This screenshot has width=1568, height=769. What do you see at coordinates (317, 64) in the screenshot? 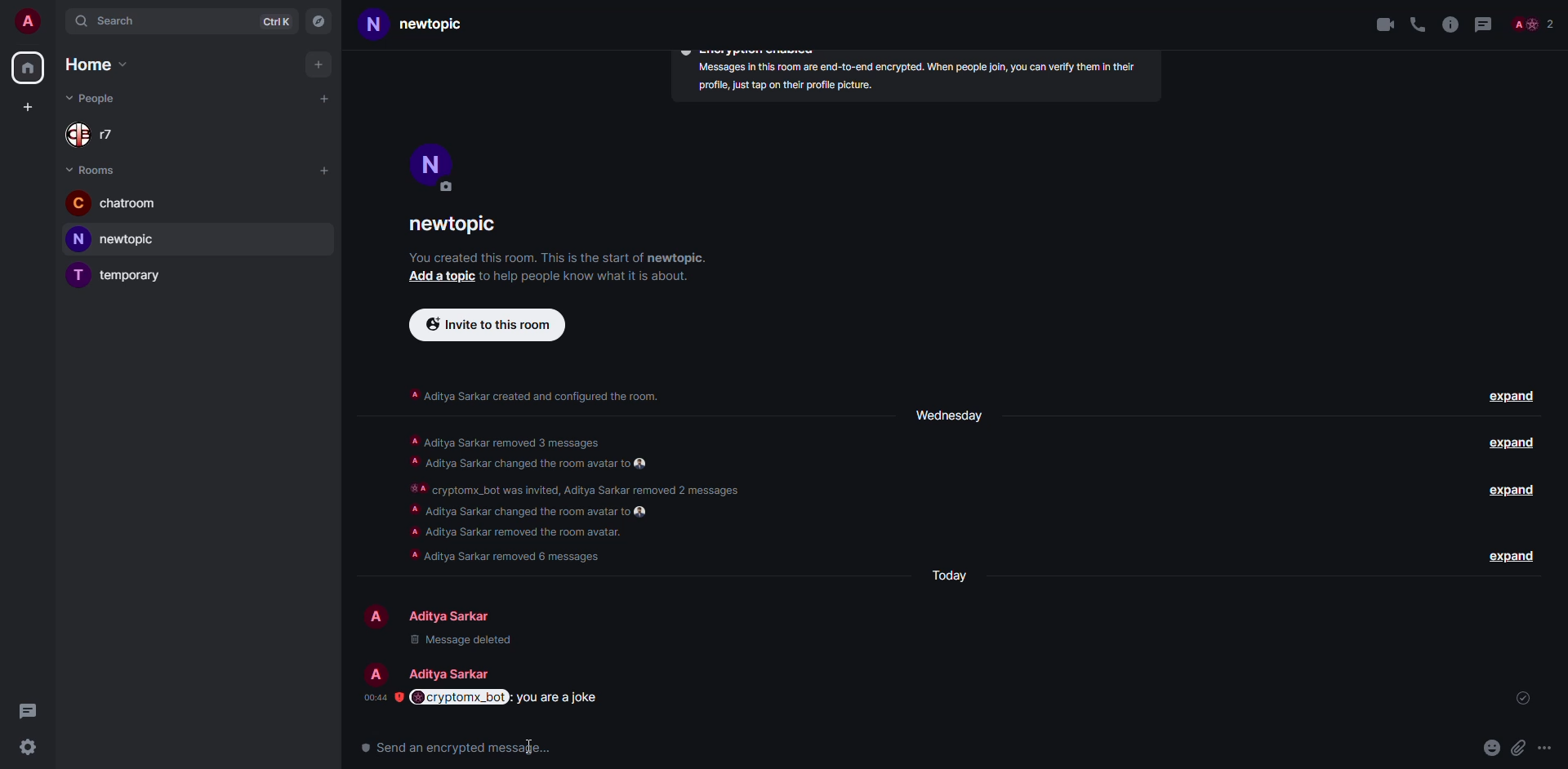
I see `add` at bounding box center [317, 64].